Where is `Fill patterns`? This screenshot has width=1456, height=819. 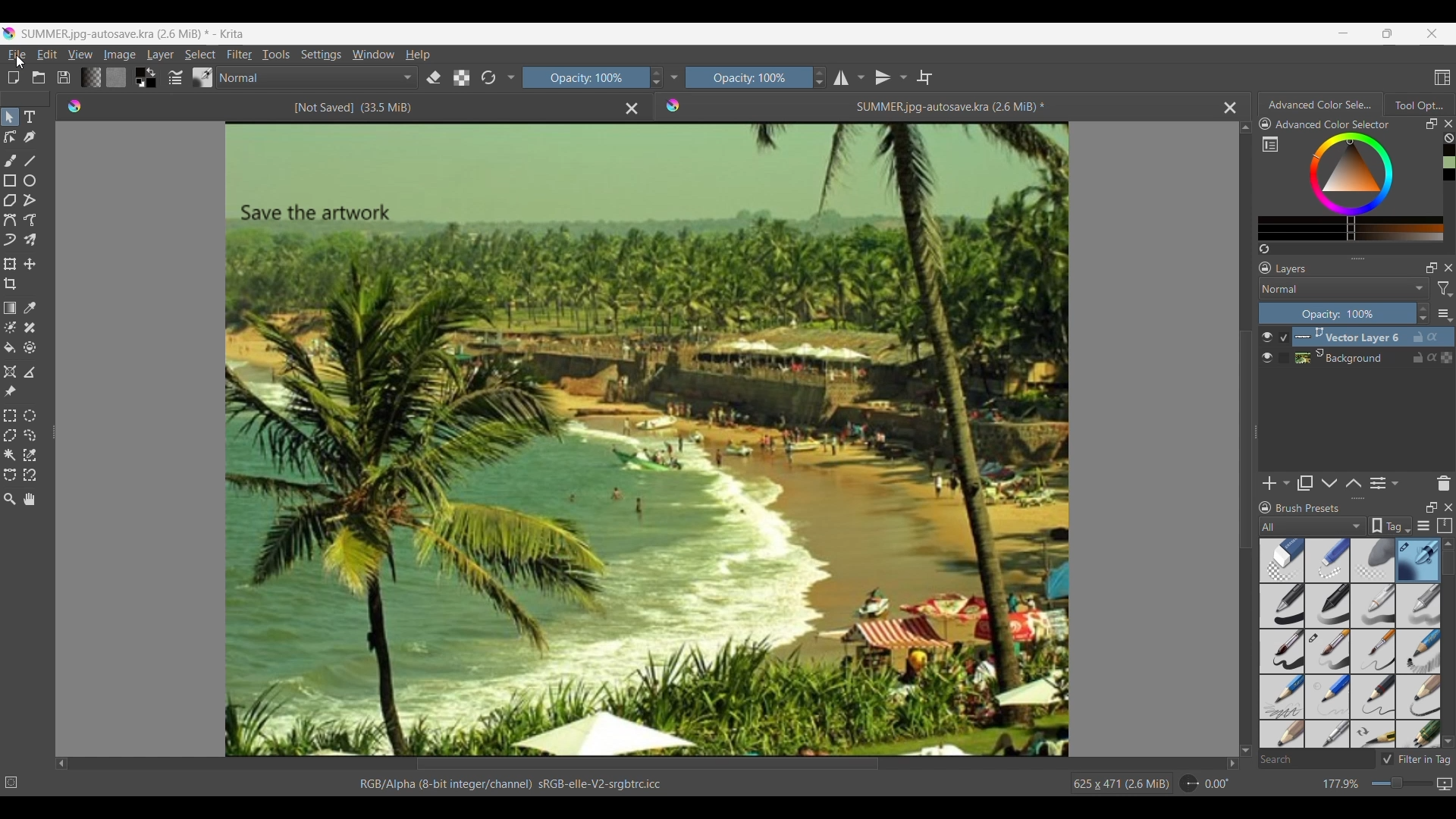 Fill patterns is located at coordinates (116, 77).